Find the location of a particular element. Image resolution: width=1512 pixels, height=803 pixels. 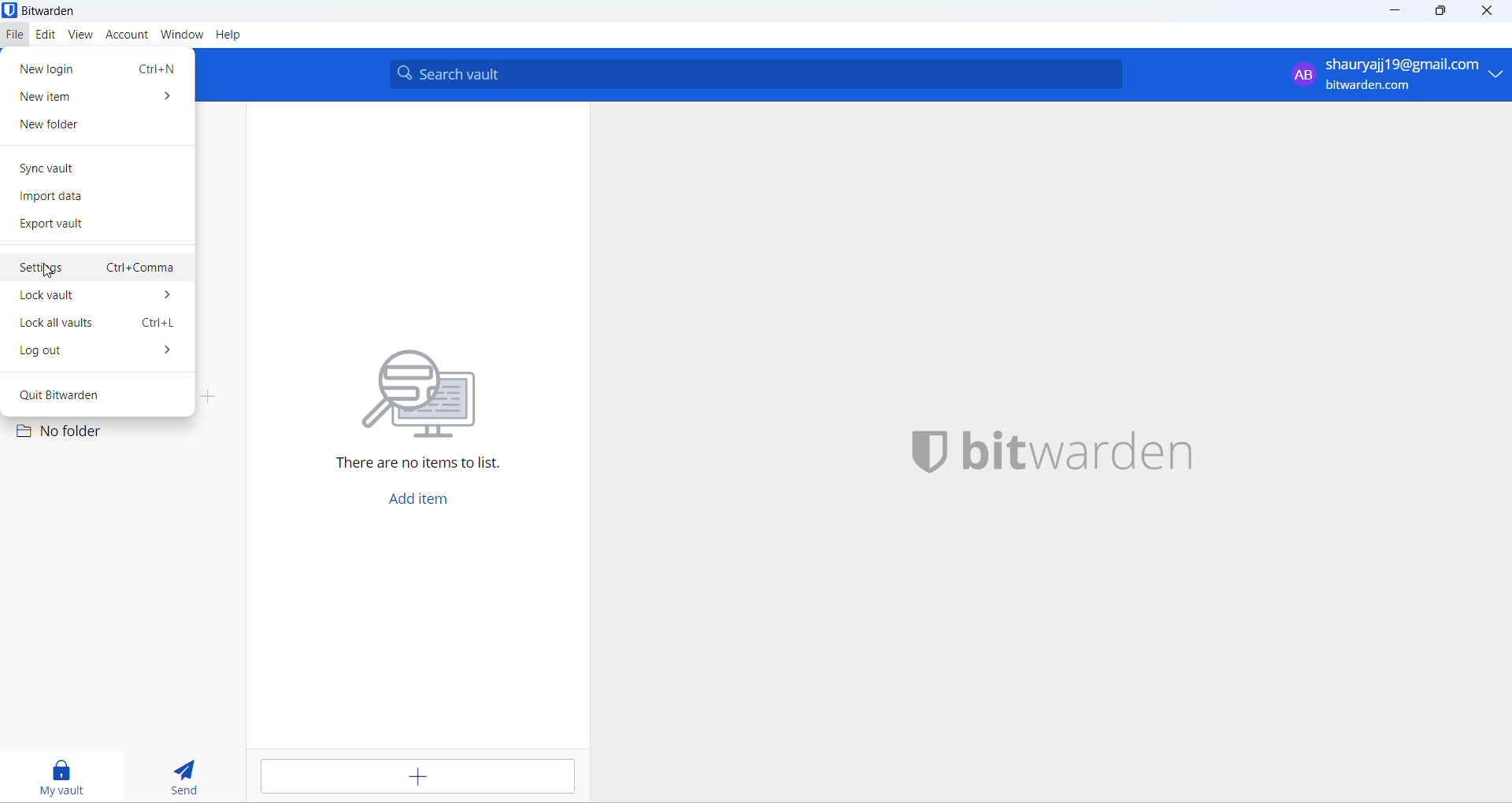

application name and logo is located at coordinates (48, 10).